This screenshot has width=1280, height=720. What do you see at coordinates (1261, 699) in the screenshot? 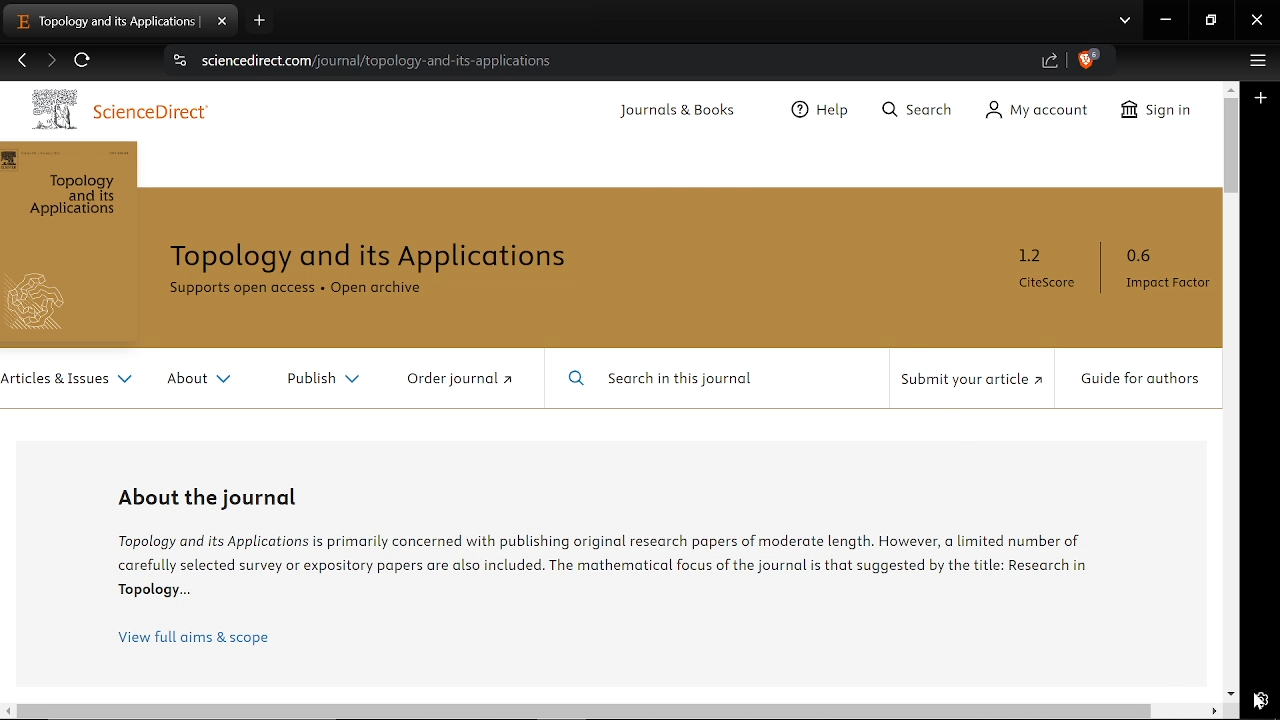
I see `cursor` at bounding box center [1261, 699].